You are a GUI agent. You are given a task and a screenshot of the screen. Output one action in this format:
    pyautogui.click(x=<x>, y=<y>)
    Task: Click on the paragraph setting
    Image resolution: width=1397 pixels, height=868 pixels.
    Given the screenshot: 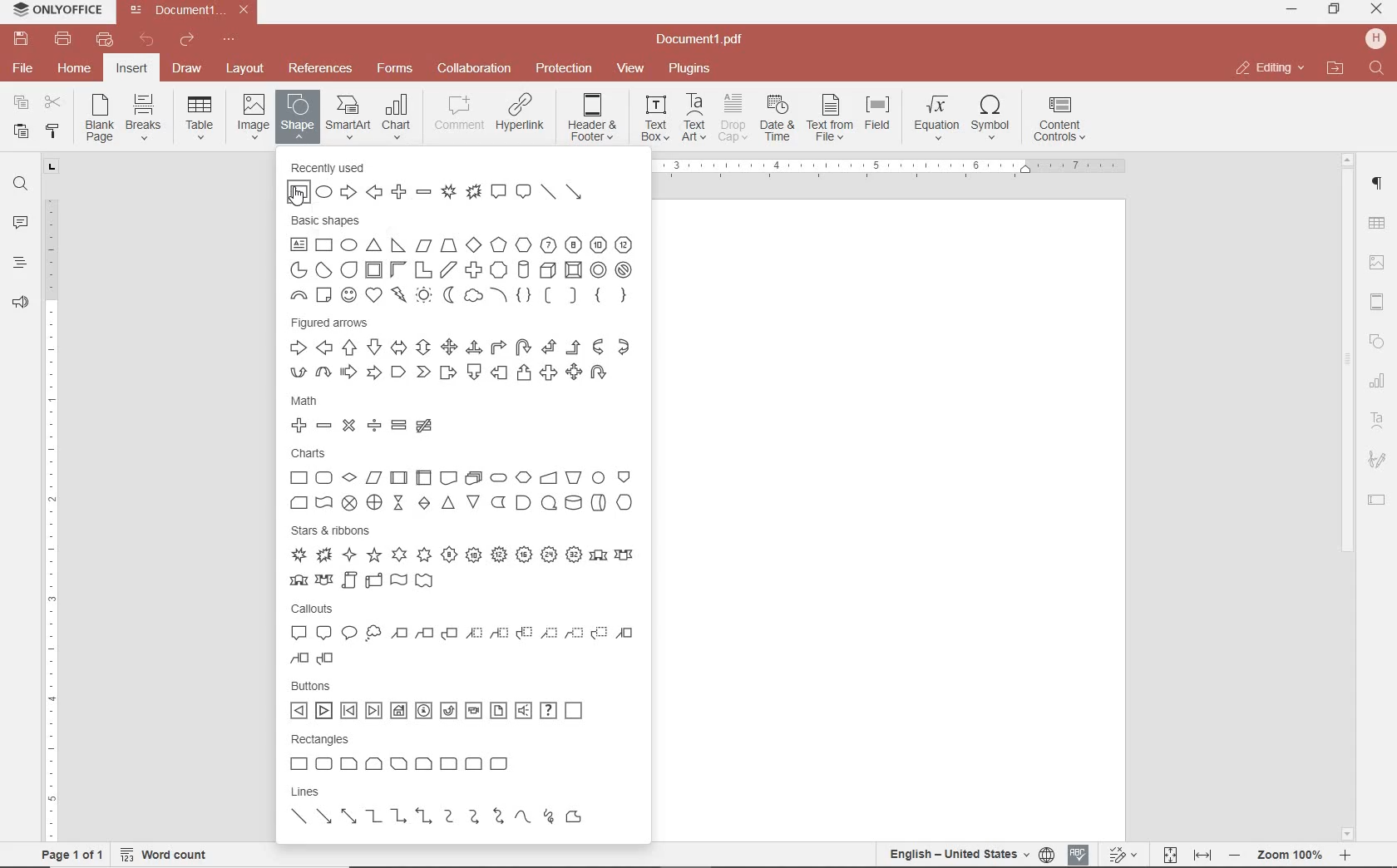 What is the action you would take?
    pyautogui.click(x=1378, y=181)
    